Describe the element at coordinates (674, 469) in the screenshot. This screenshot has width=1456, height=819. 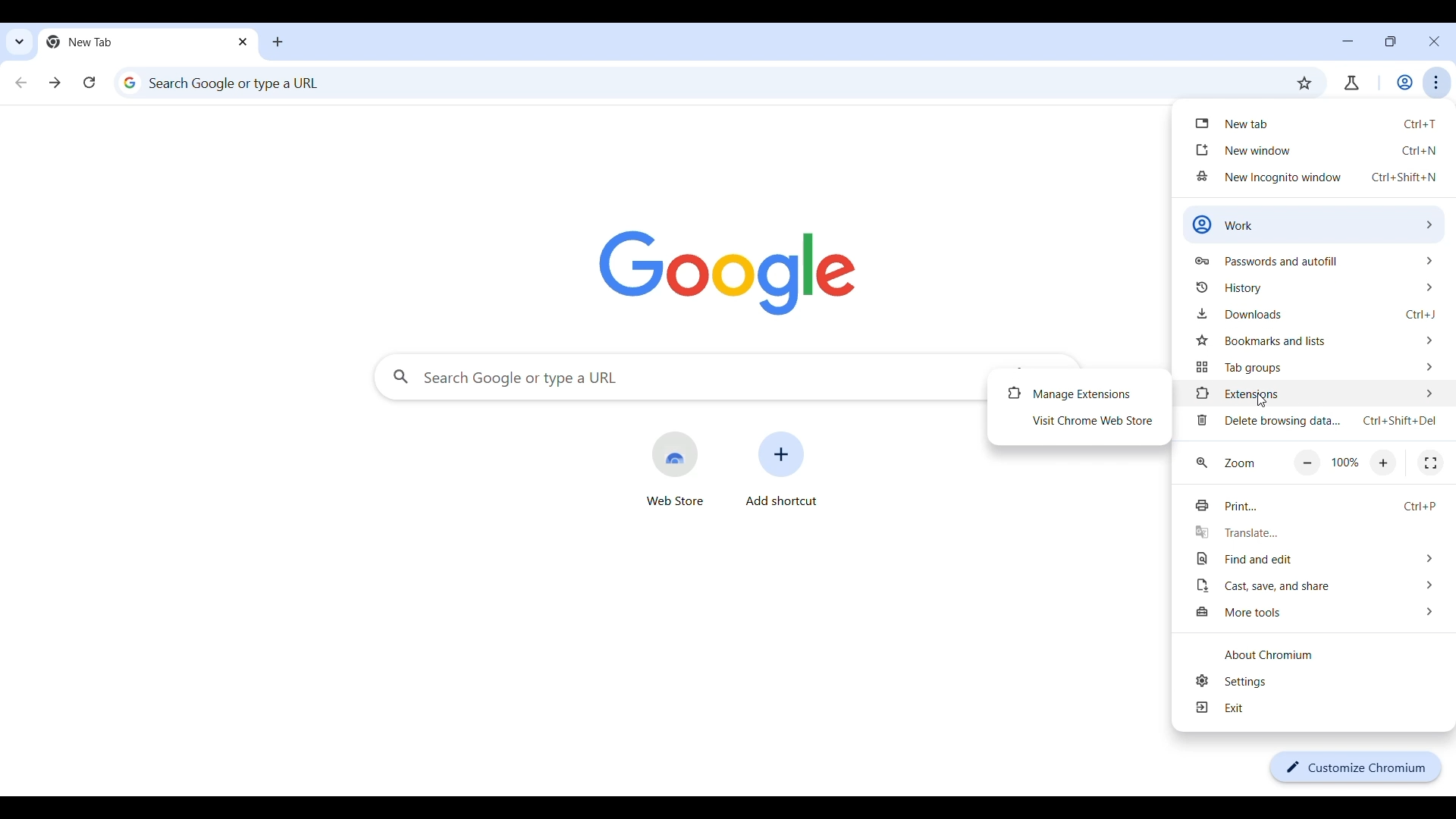
I see `Open Google webstore` at that location.